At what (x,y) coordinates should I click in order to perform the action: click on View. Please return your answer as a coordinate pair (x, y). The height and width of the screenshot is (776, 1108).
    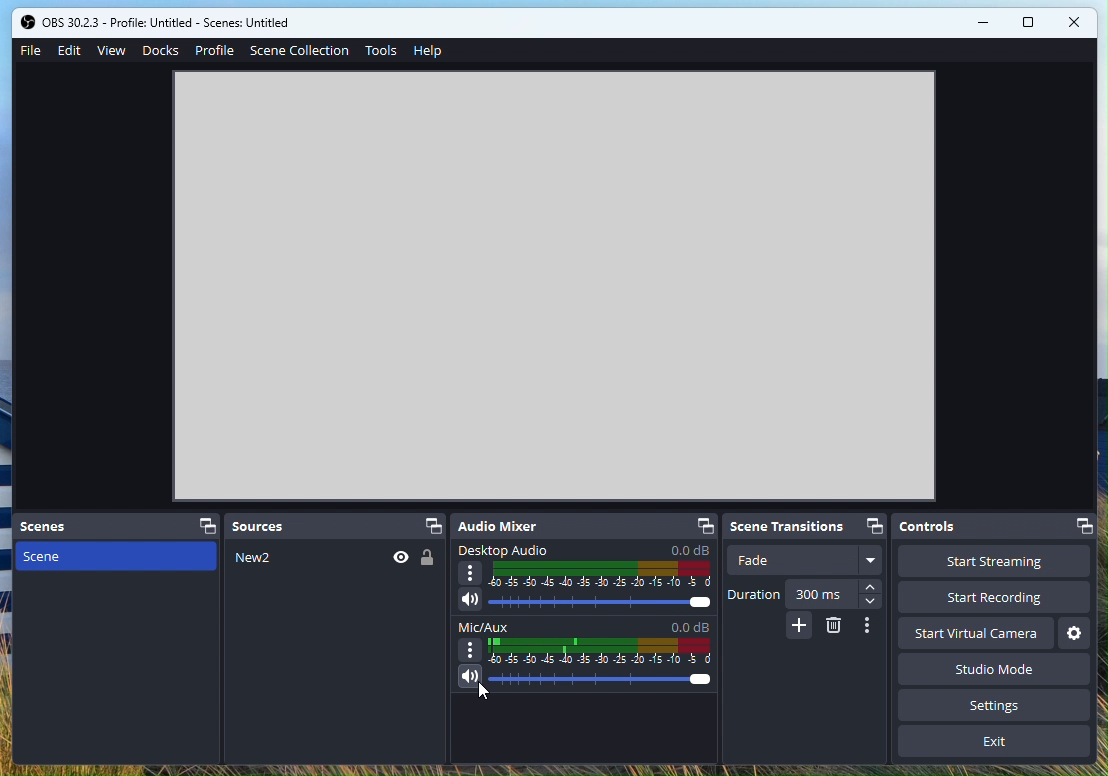
    Looking at the image, I should click on (113, 50).